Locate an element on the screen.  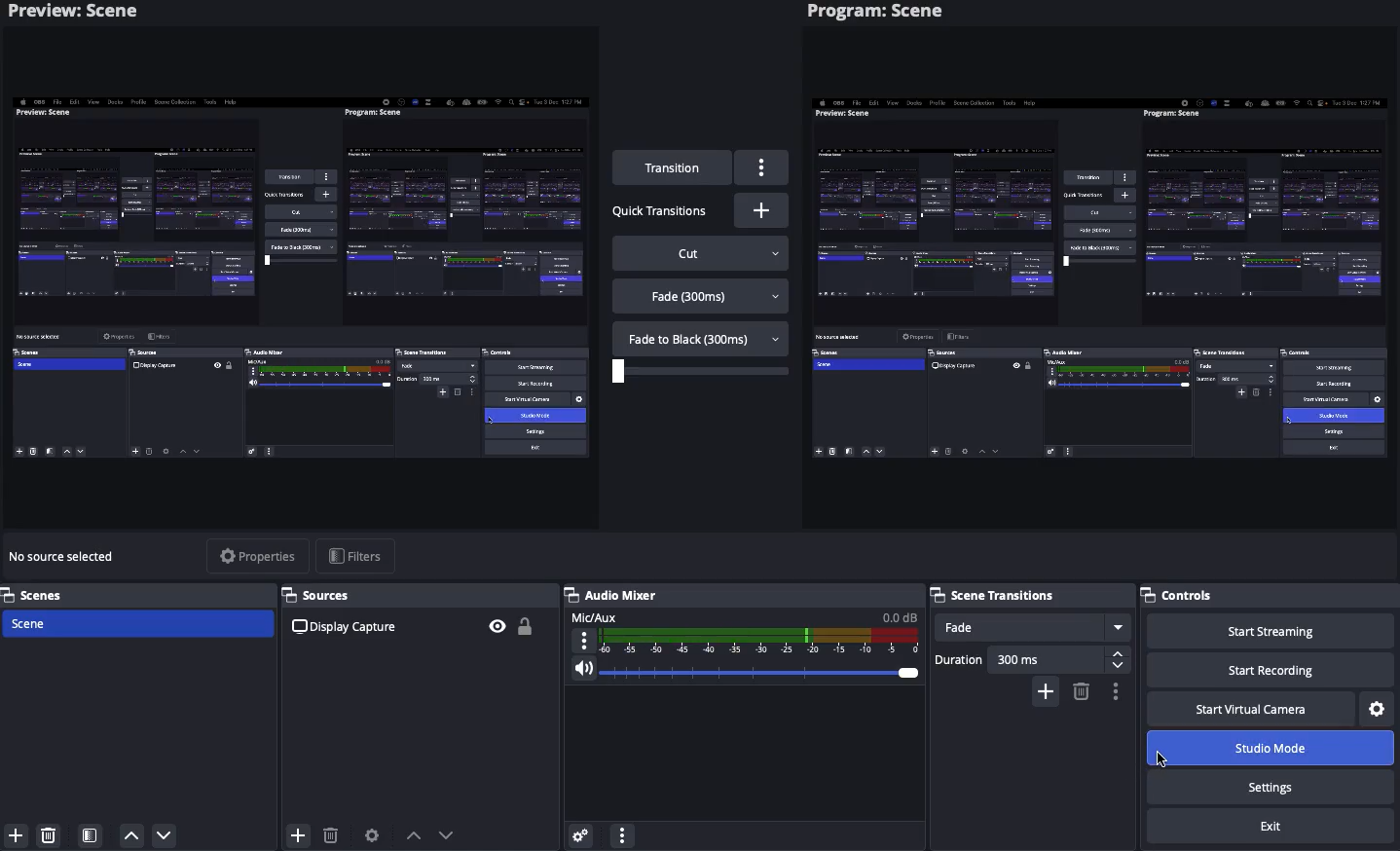
Scale is located at coordinates (703, 372).